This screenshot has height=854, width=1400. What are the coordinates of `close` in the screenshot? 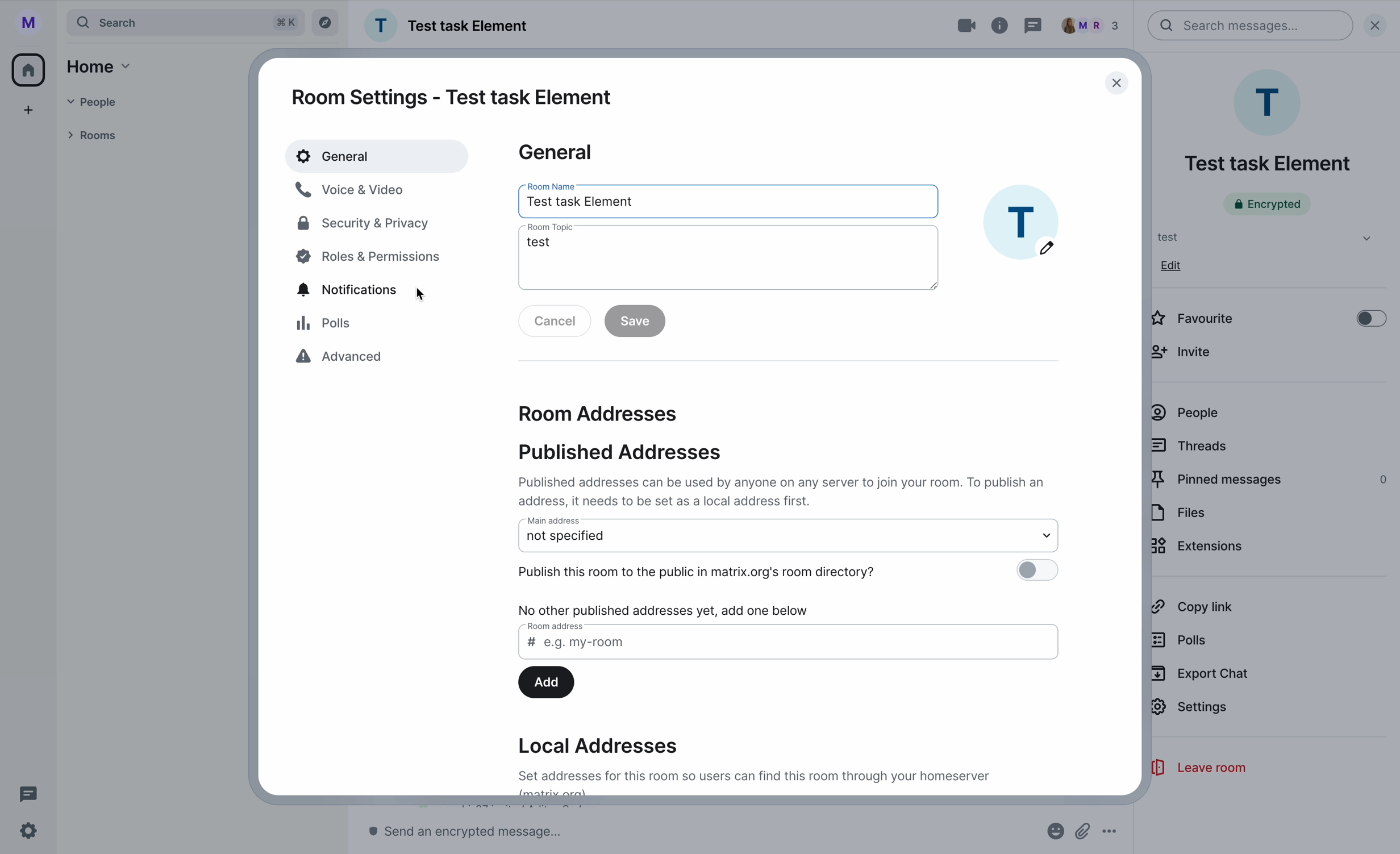 It's located at (1380, 24).